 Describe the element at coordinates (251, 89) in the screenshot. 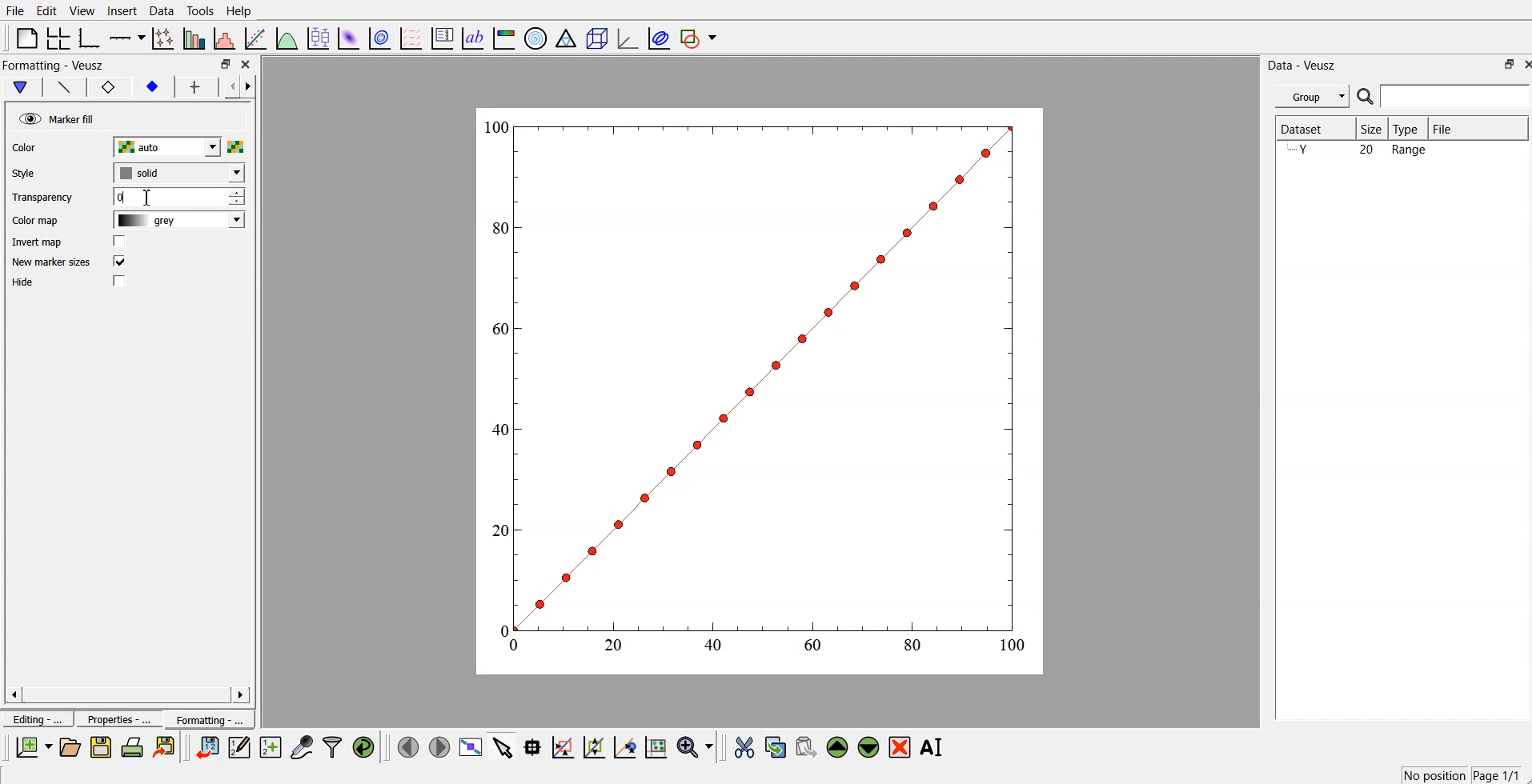

I see `next` at that location.